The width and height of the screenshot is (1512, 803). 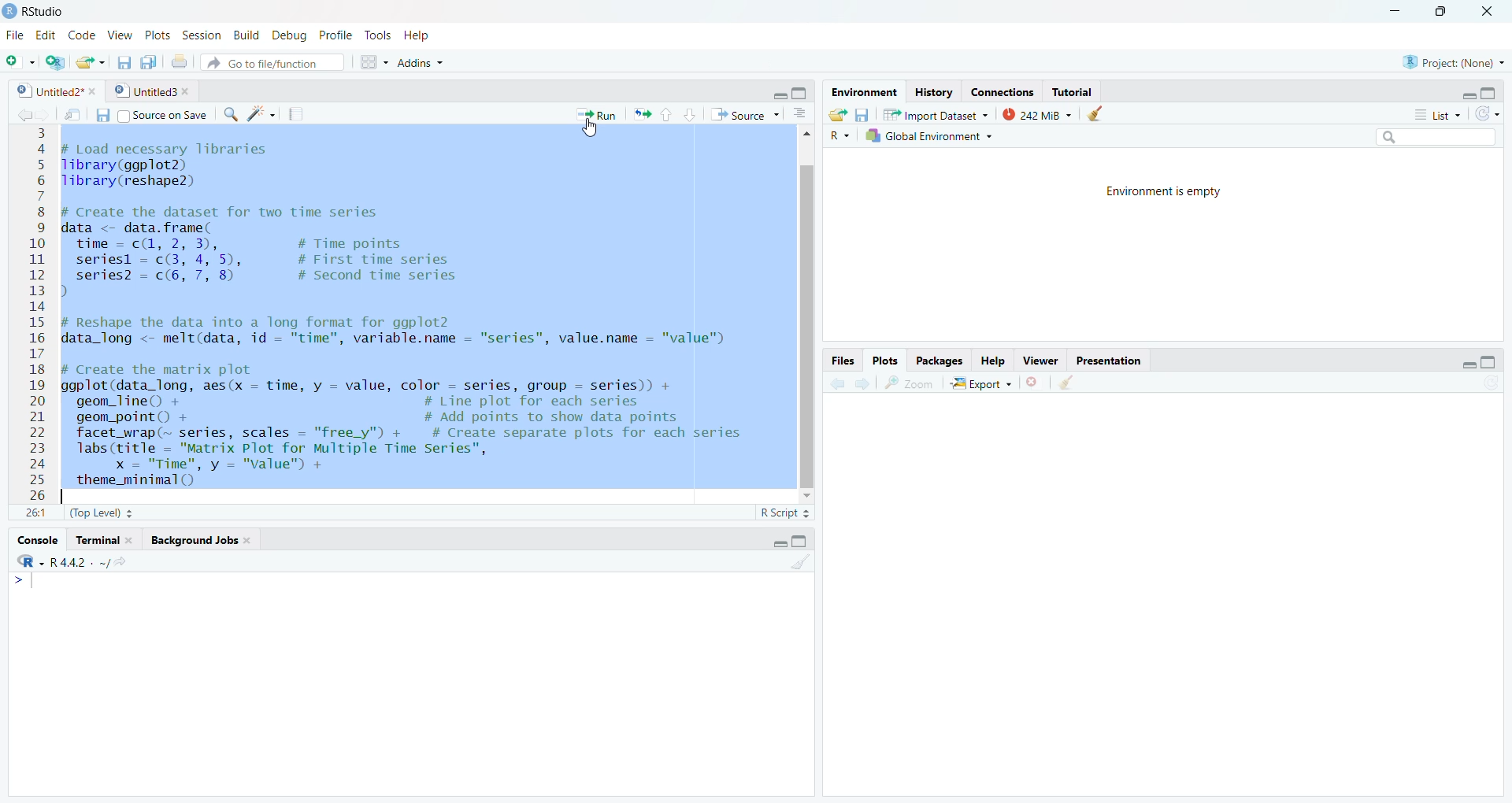 What do you see at coordinates (95, 91) in the screenshot?
I see `close` at bounding box center [95, 91].